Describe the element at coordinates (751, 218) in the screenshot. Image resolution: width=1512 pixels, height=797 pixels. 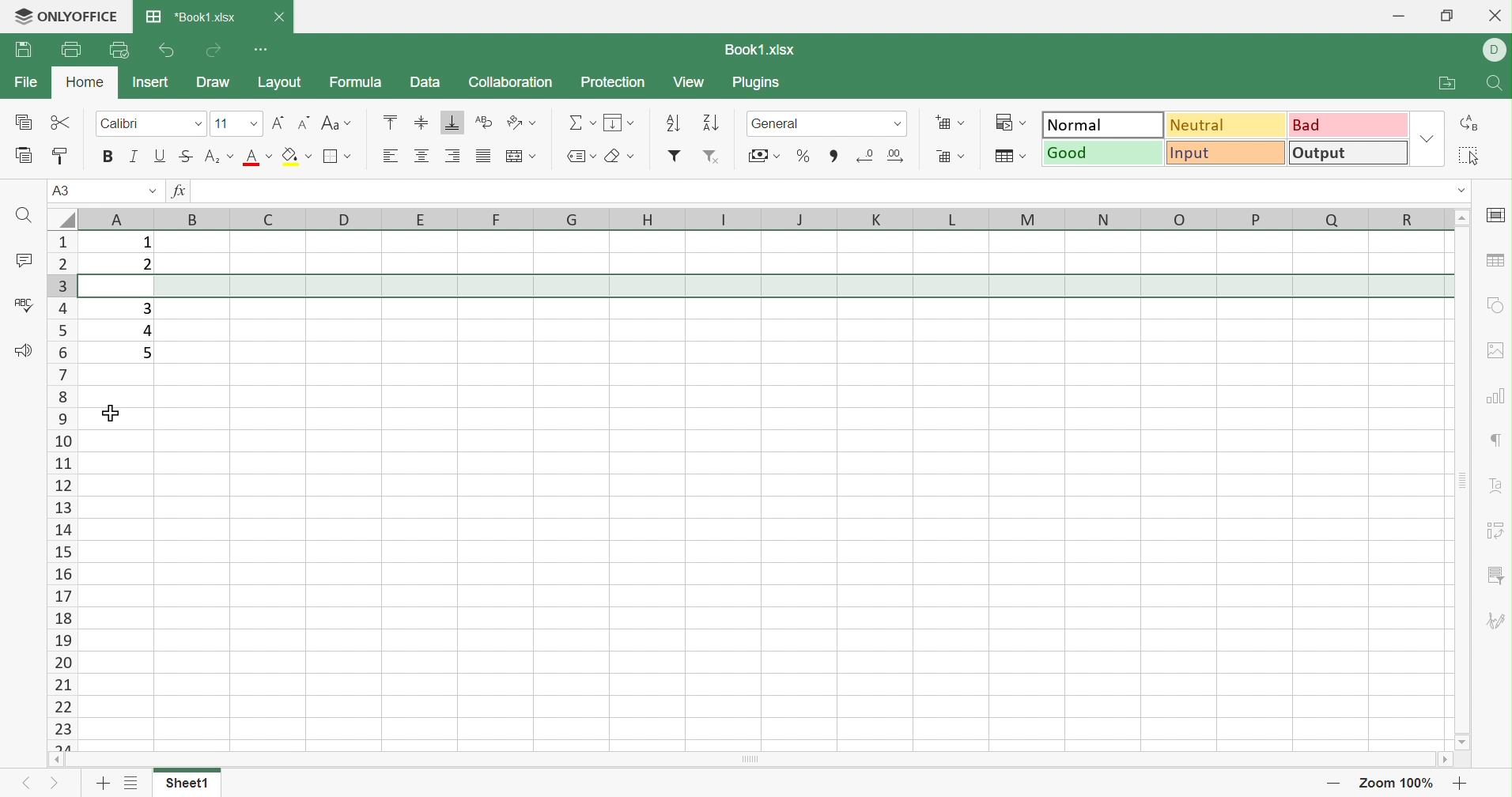
I see `Column Names` at that location.